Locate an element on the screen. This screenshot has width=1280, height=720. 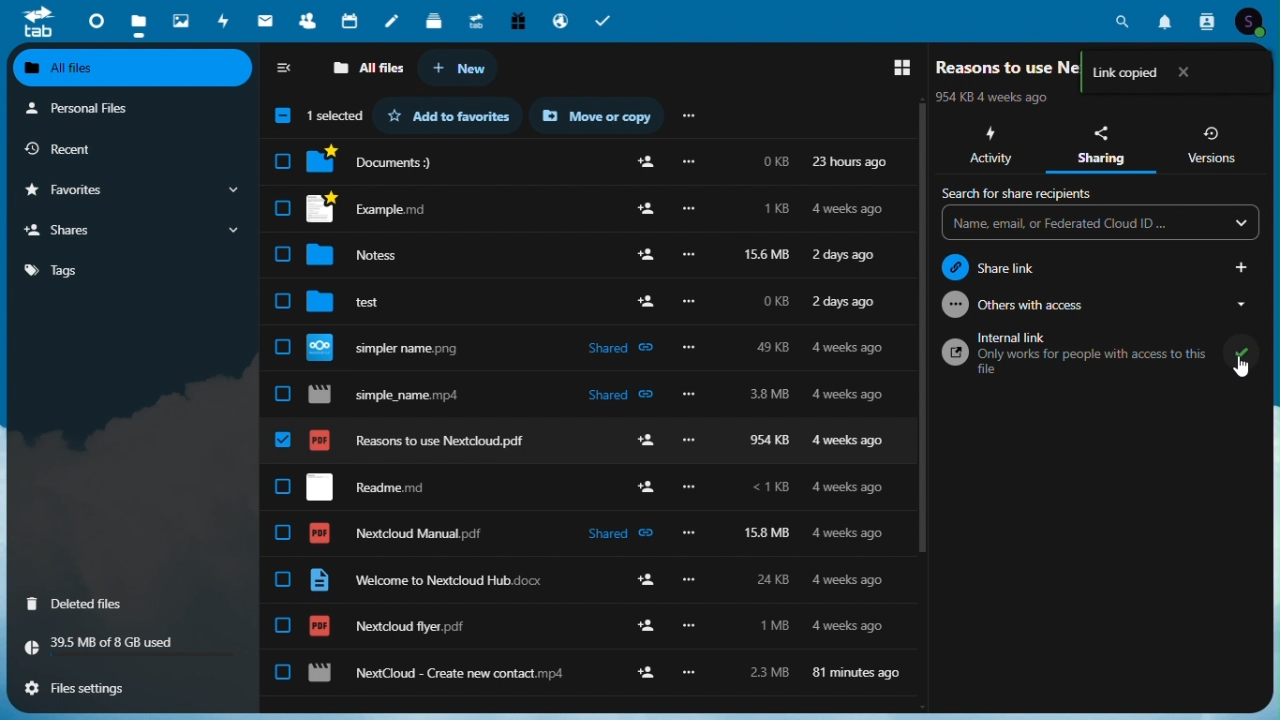
all files is located at coordinates (134, 68).